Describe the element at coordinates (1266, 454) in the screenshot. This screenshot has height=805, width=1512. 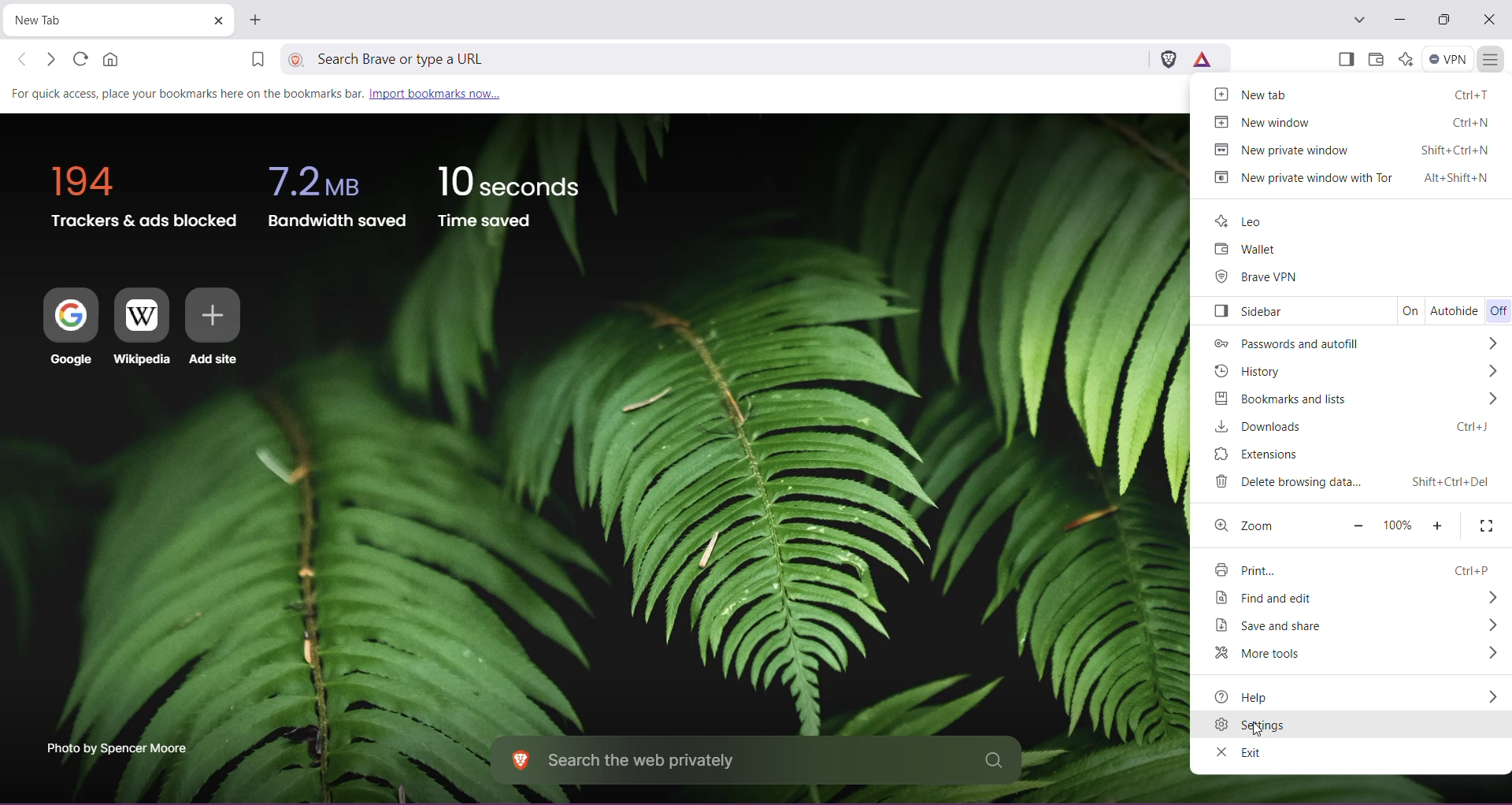
I see `Extensions` at that location.